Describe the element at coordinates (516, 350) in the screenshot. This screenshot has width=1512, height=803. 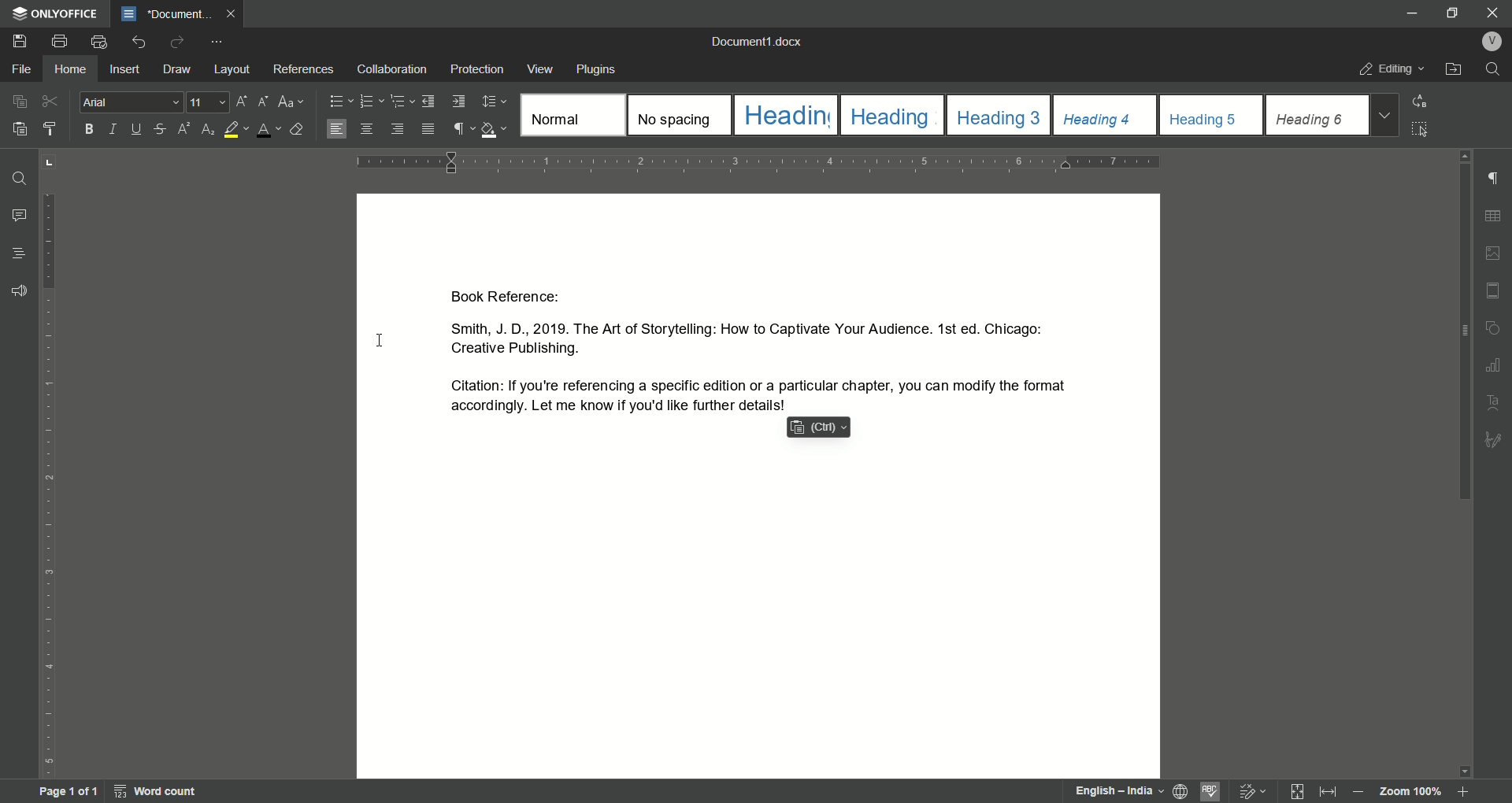
I see `Creative Publishing.` at that location.